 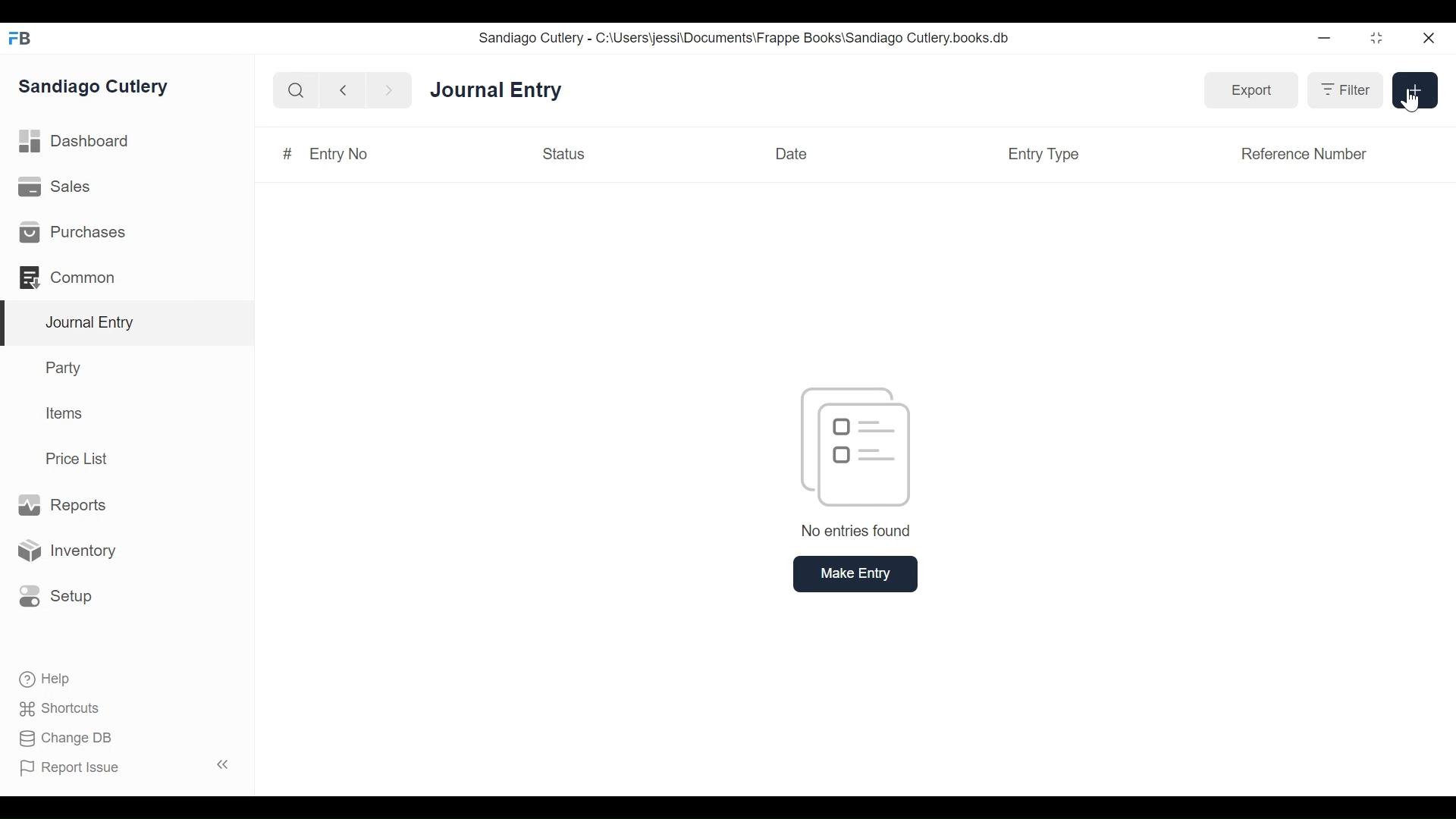 What do you see at coordinates (21, 39) in the screenshot?
I see `Frappe Books Desktop icon` at bounding box center [21, 39].